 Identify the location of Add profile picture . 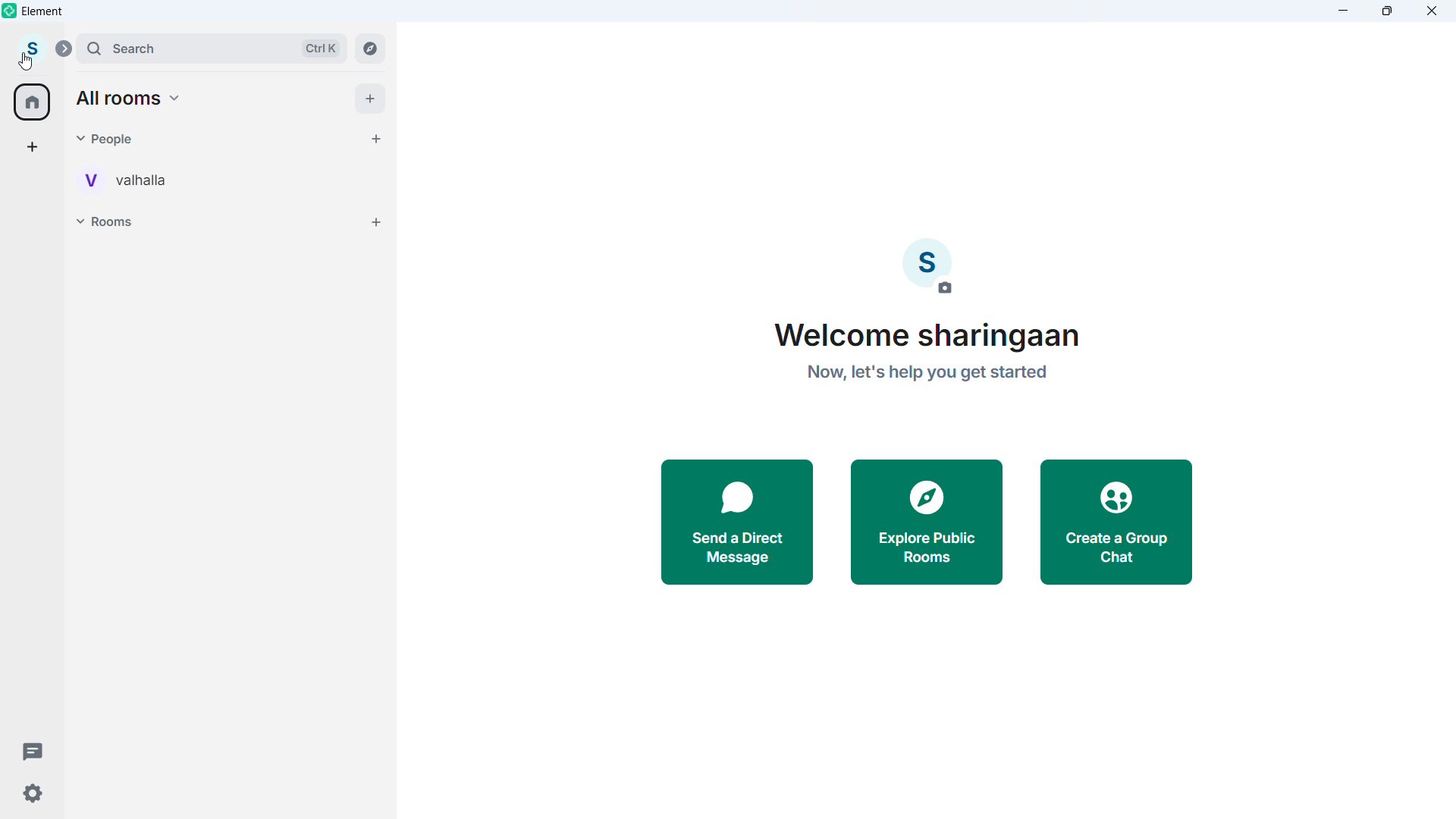
(933, 265).